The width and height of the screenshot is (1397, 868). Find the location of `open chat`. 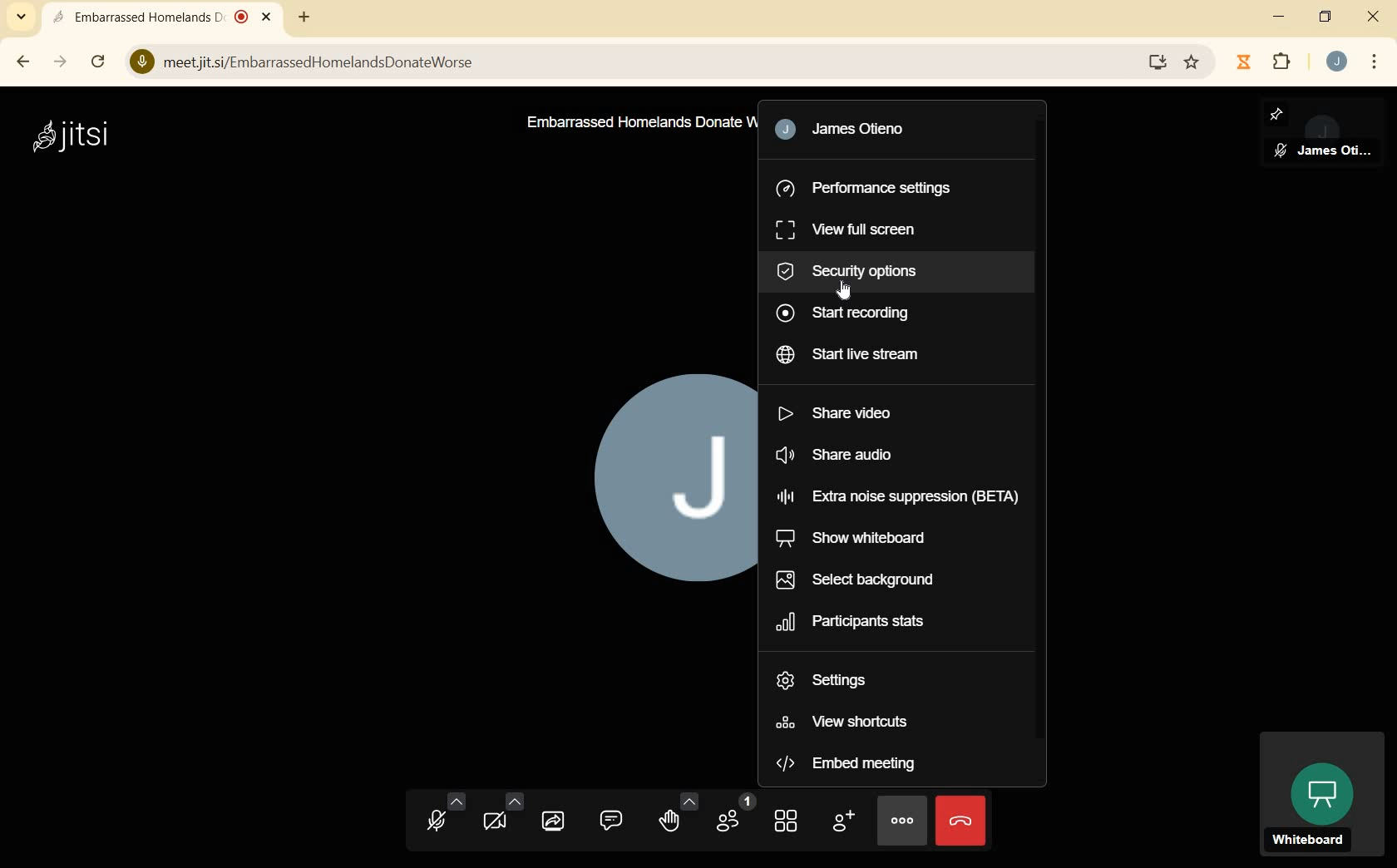

open chat is located at coordinates (611, 821).